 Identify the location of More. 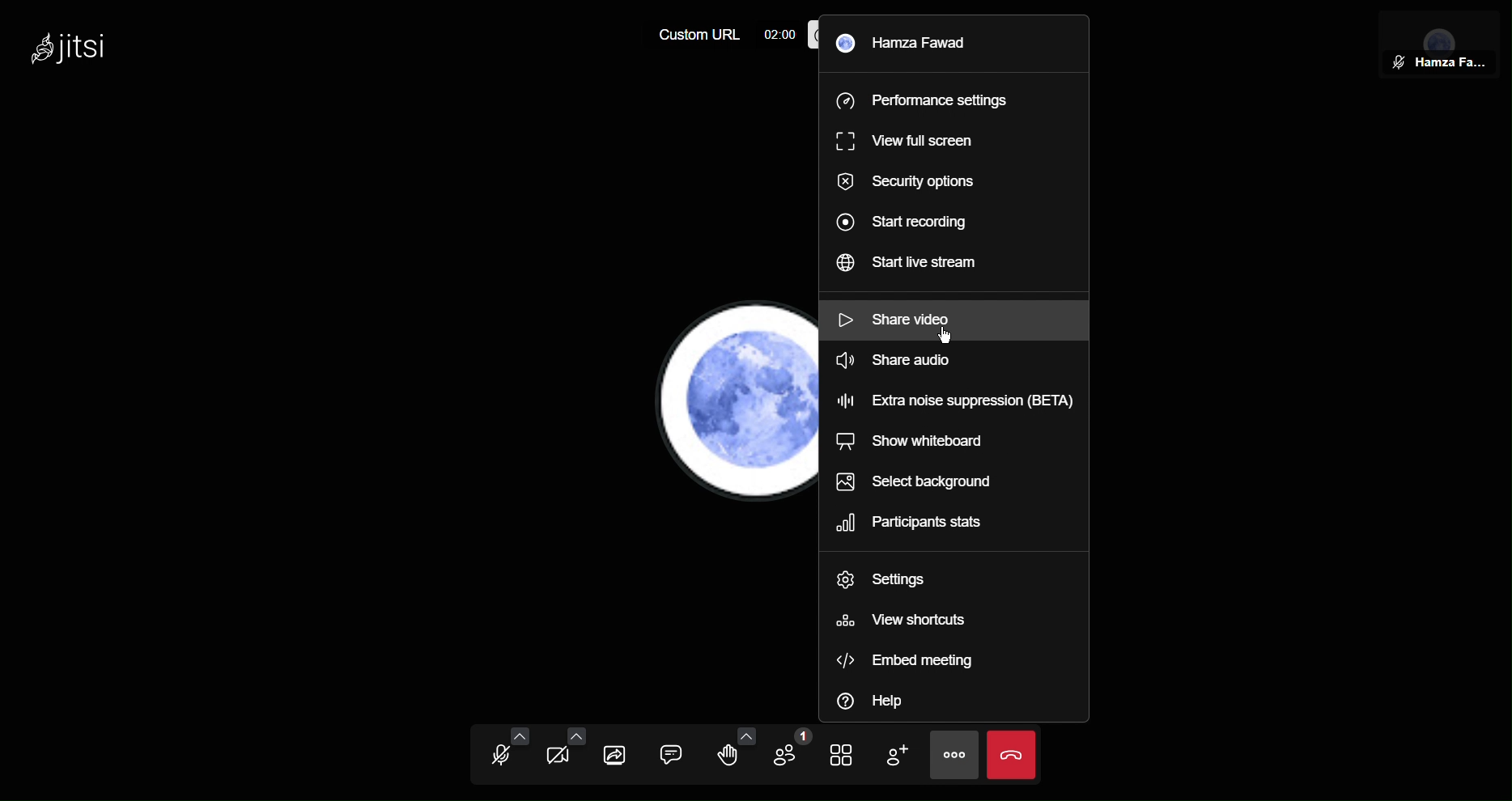
(953, 754).